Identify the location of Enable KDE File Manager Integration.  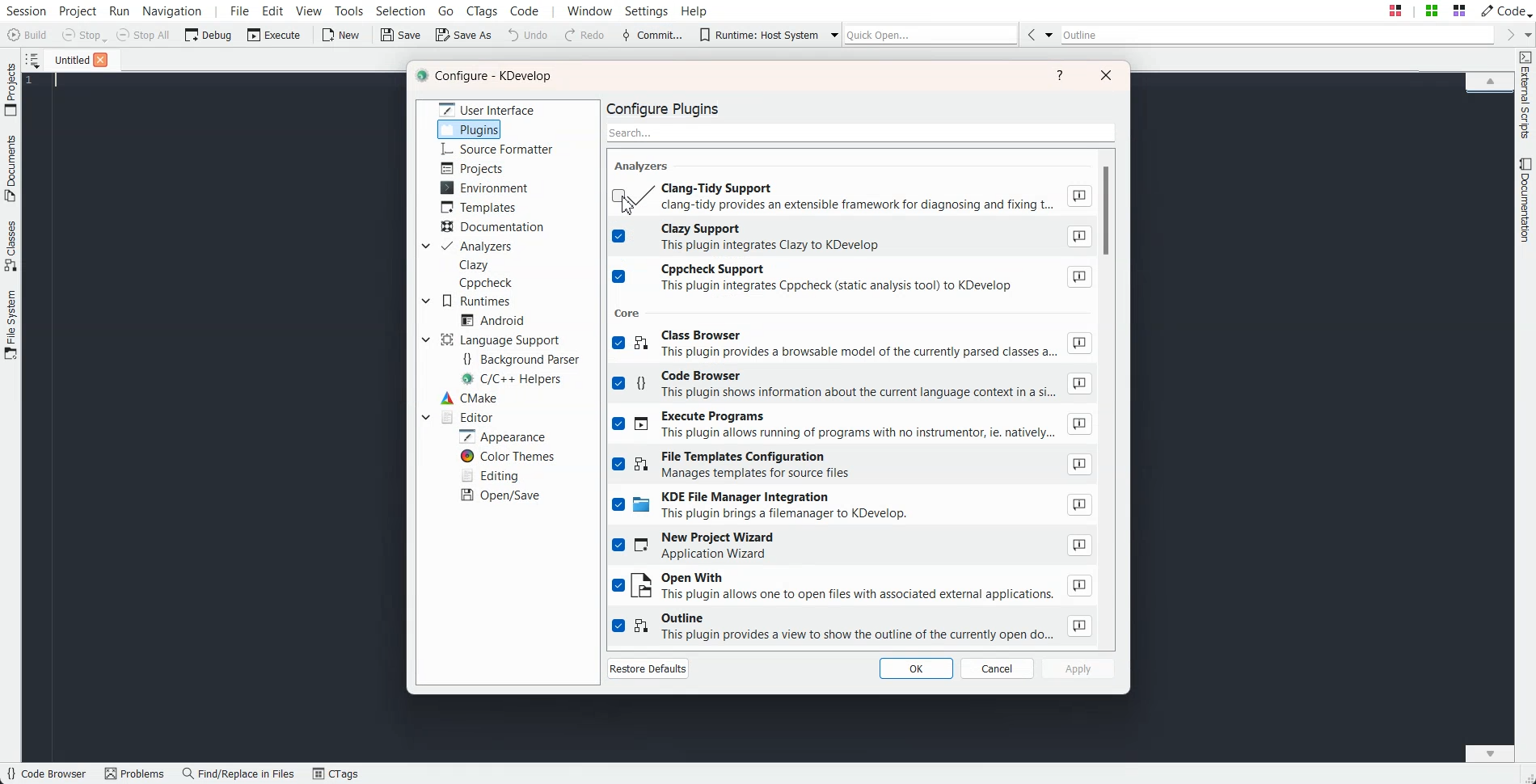
(853, 508).